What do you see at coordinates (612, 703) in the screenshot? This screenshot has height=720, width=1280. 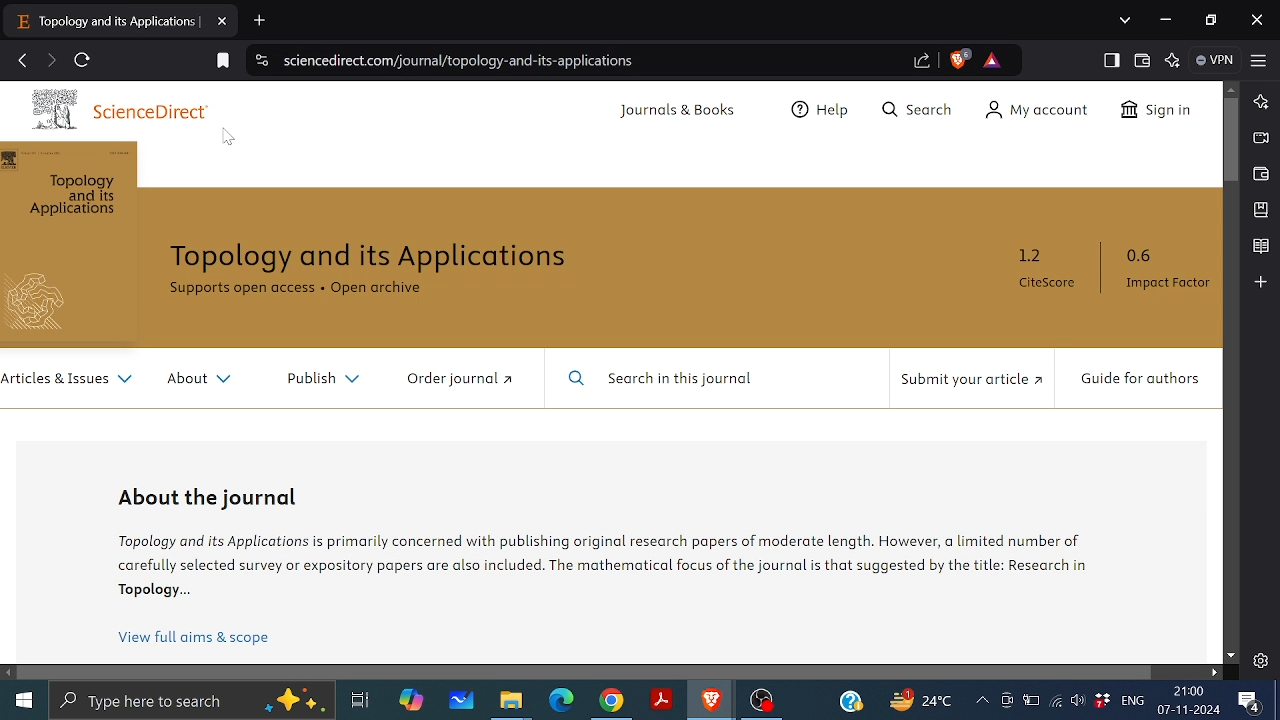 I see `Chorme` at bounding box center [612, 703].